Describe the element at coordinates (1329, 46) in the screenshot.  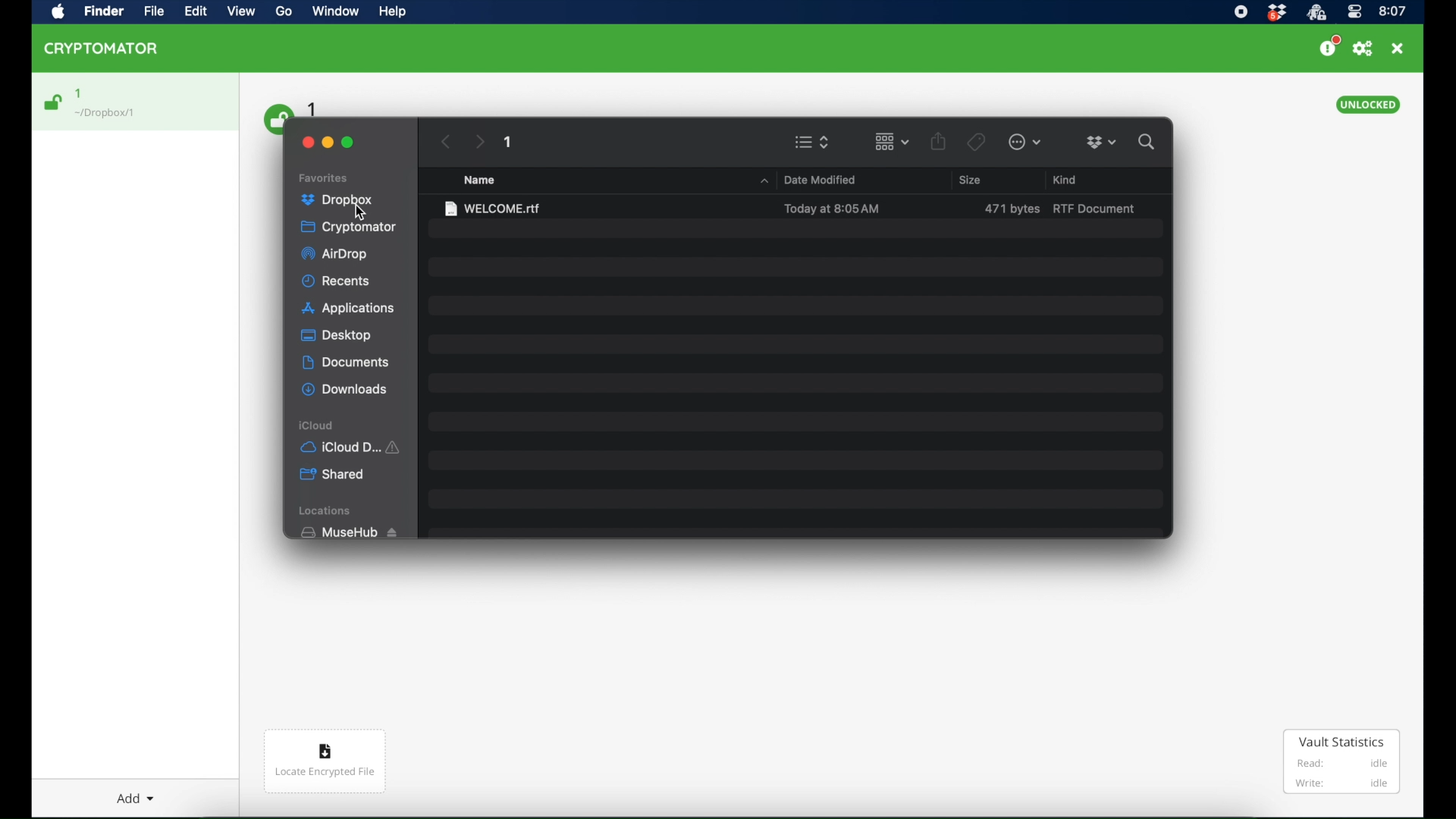
I see `support us` at that location.